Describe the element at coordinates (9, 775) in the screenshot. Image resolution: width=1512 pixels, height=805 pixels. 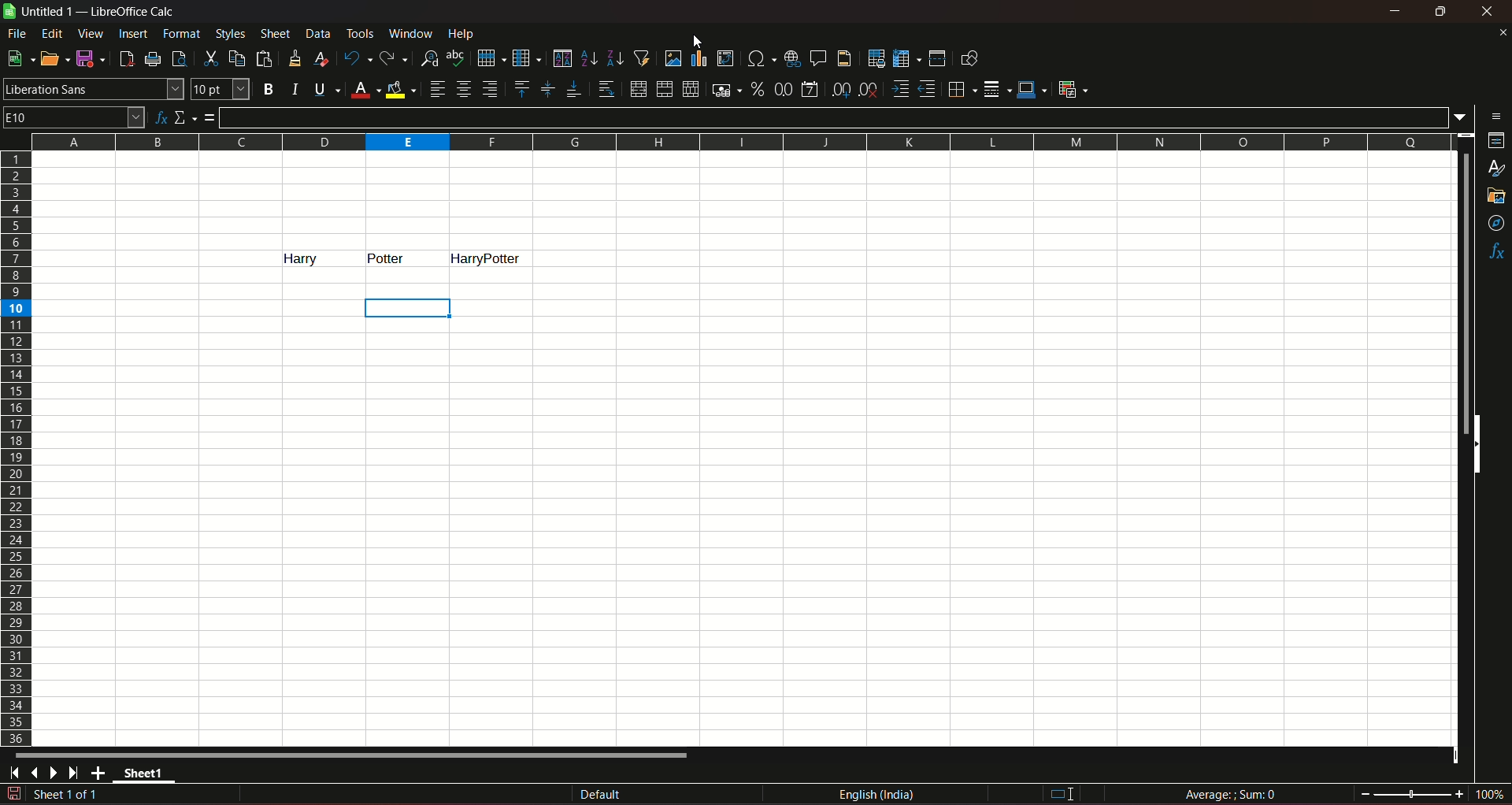
I see `scroll to first` at that location.